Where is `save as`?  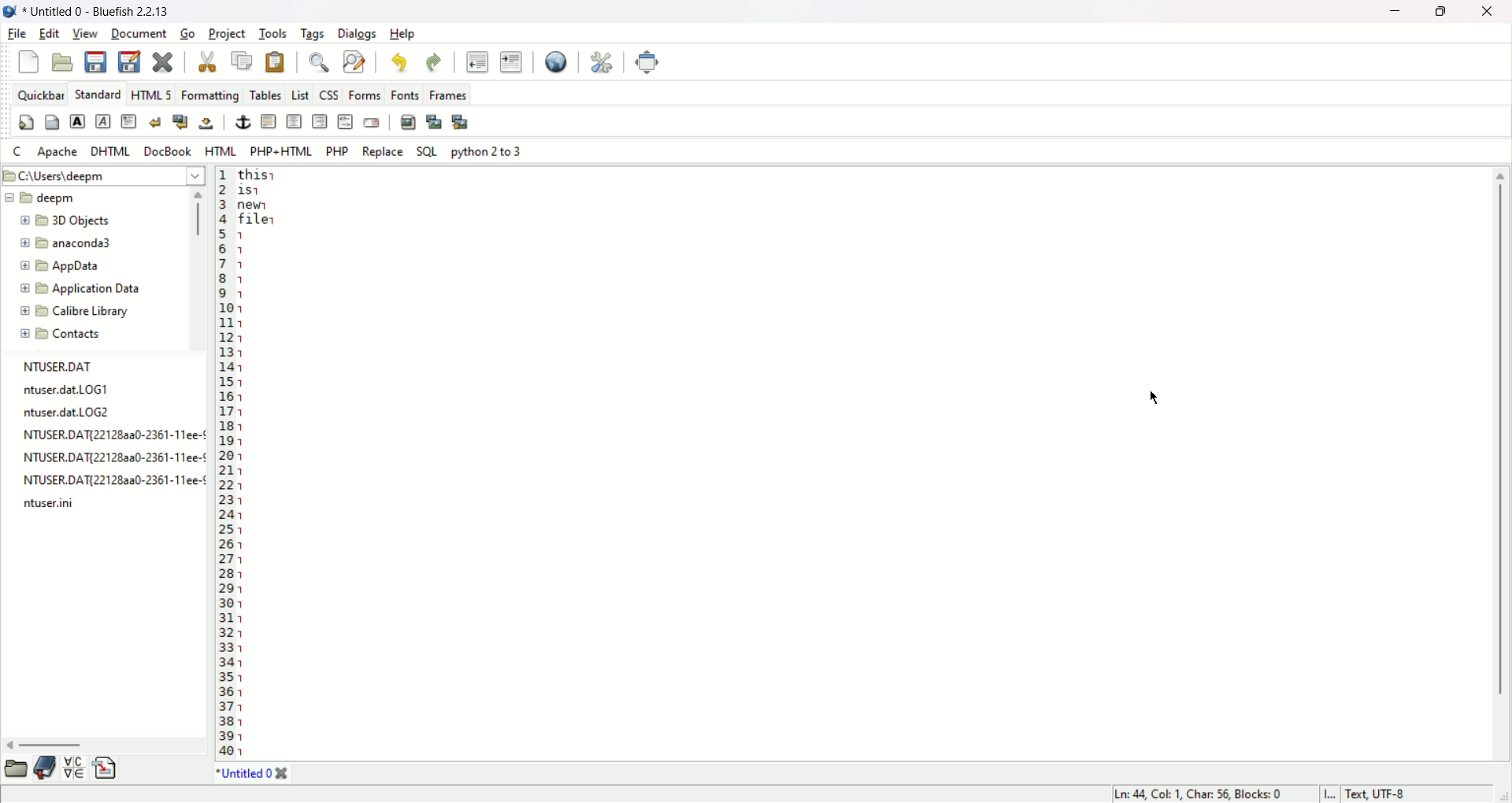
save as is located at coordinates (128, 61).